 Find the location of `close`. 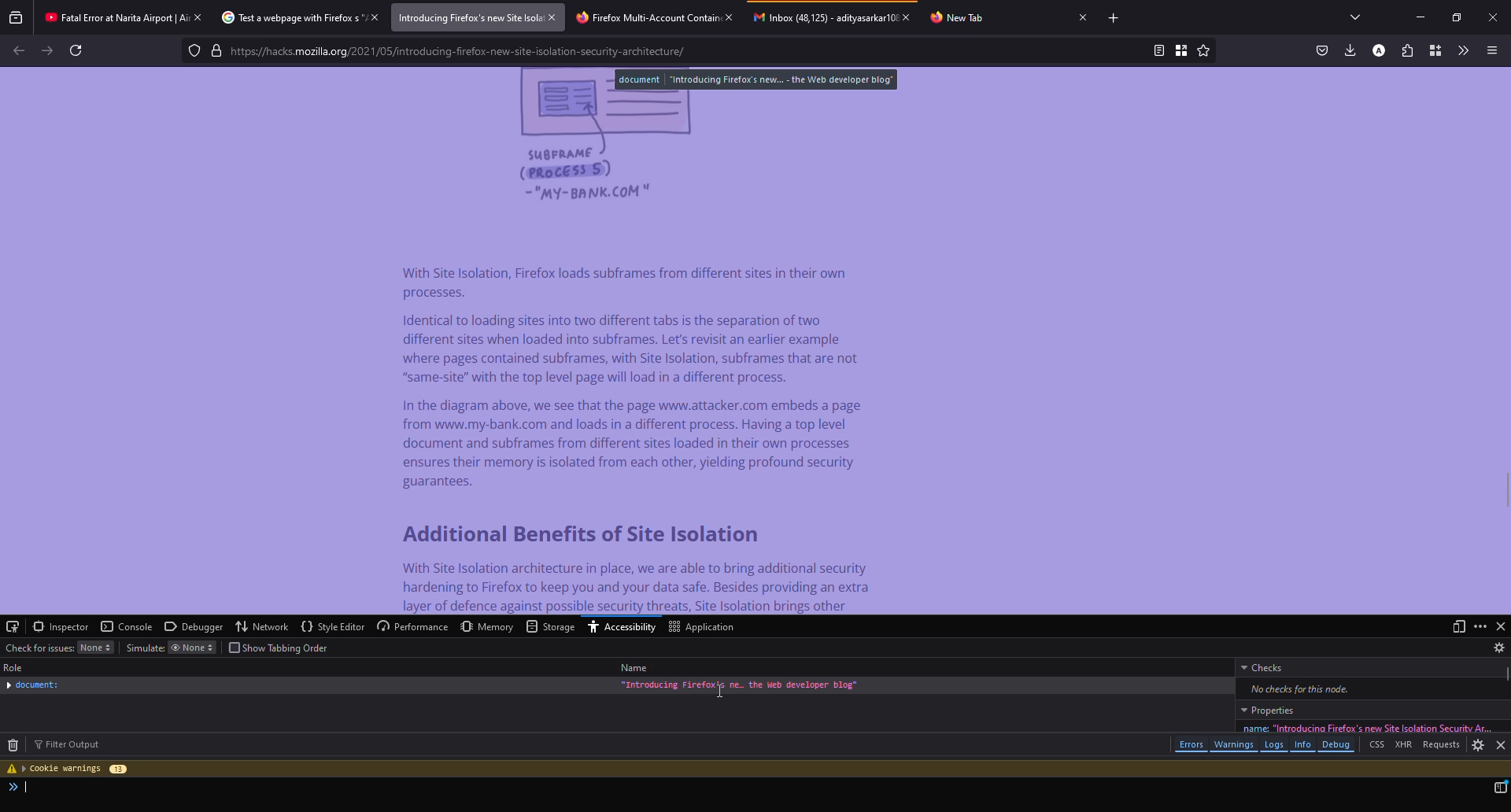

close is located at coordinates (906, 17).